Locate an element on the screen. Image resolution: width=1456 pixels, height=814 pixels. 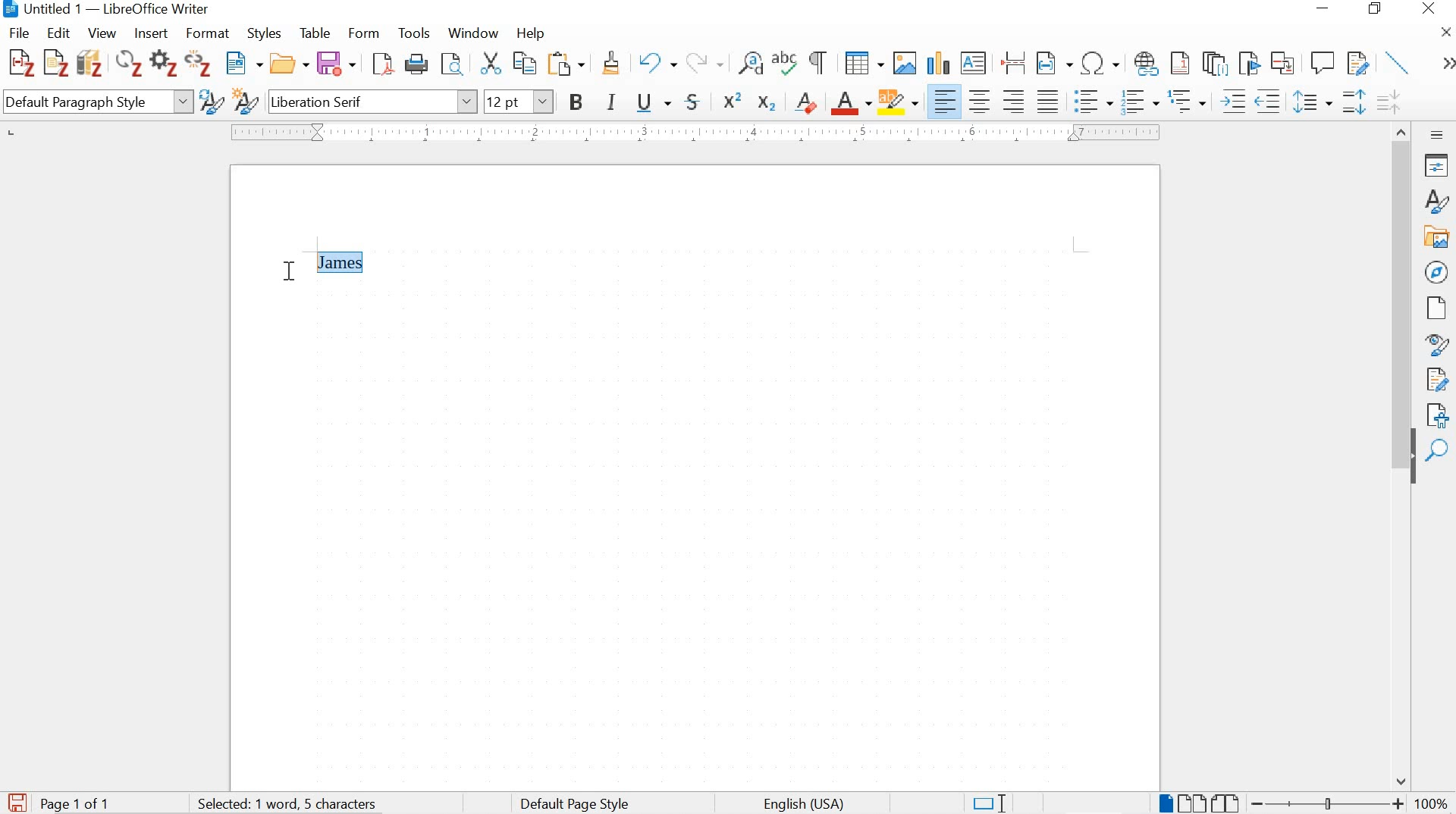
close document is located at coordinates (1446, 31).